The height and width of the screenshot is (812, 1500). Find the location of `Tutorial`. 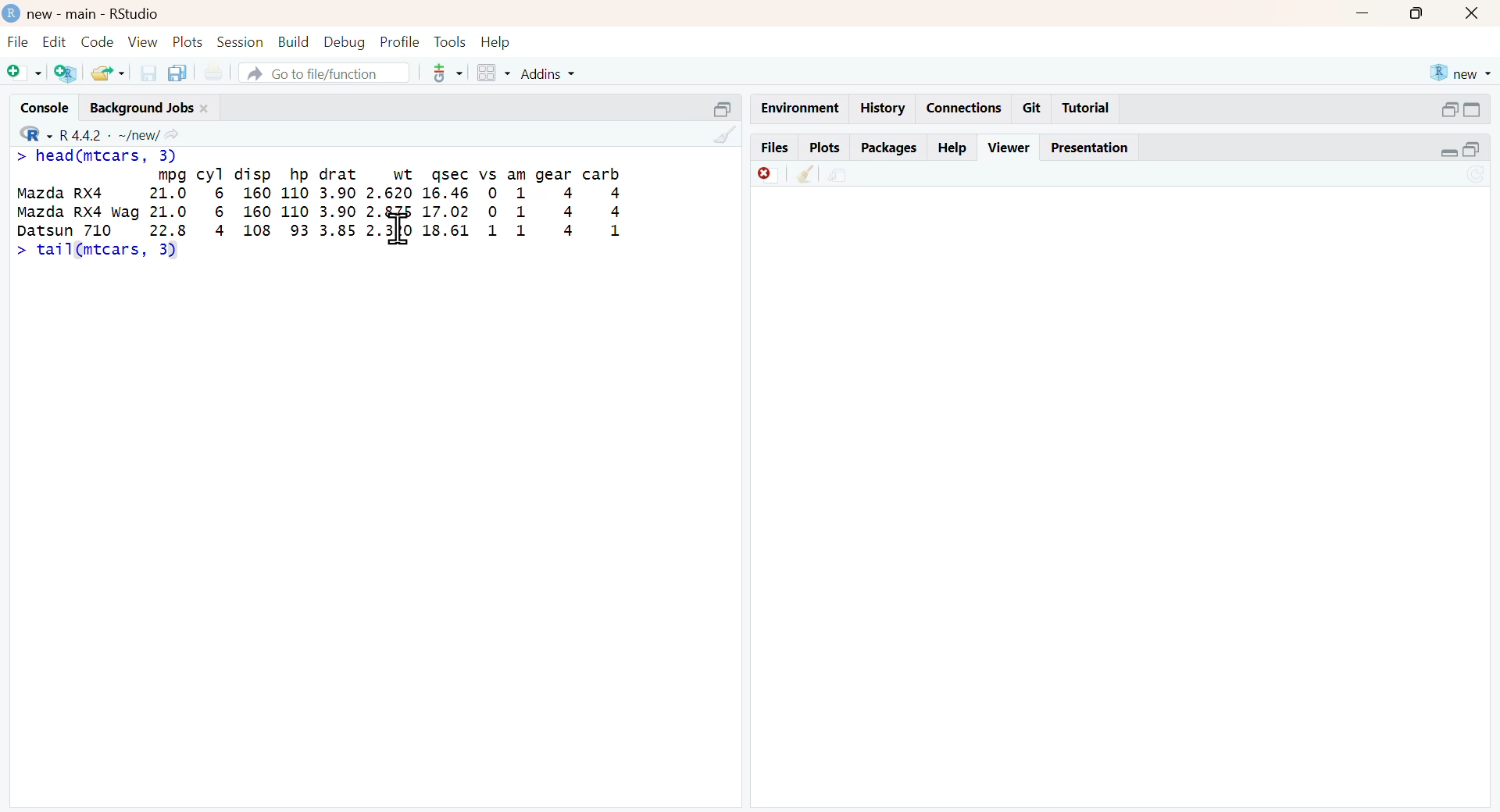

Tutorial is located at coordinates (1089, 109).